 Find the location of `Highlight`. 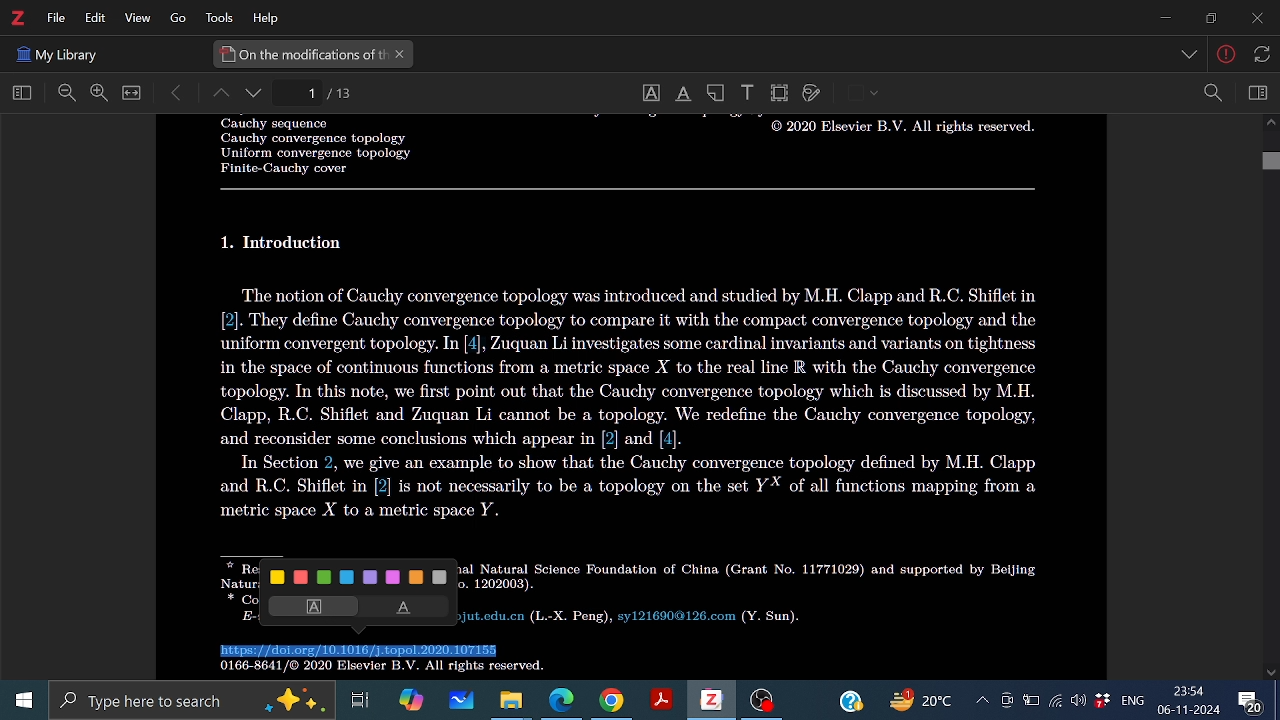

Highlight is located at coordinates (309, 606).